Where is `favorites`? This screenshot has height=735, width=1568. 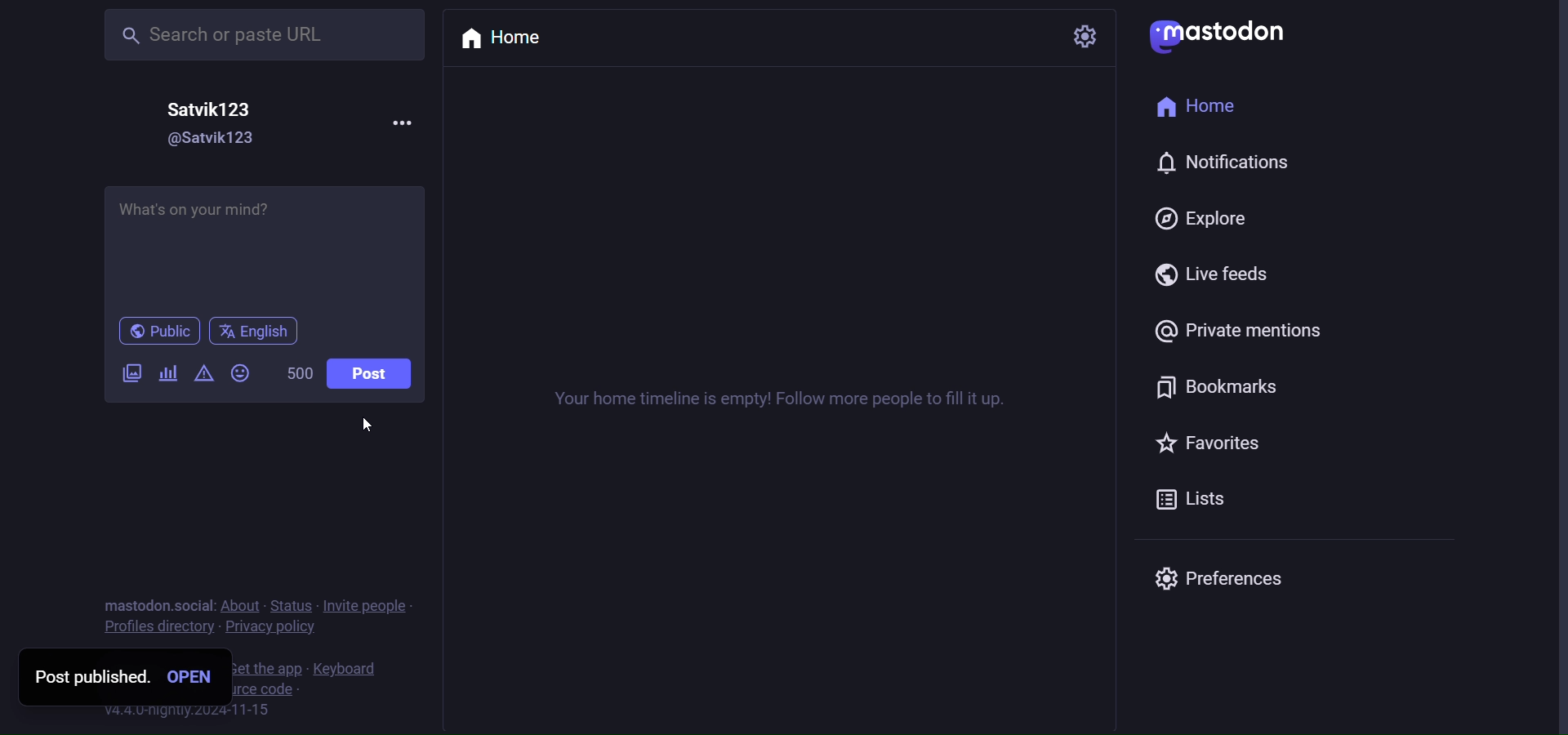
favorites is located at coordinates (1213, 444).